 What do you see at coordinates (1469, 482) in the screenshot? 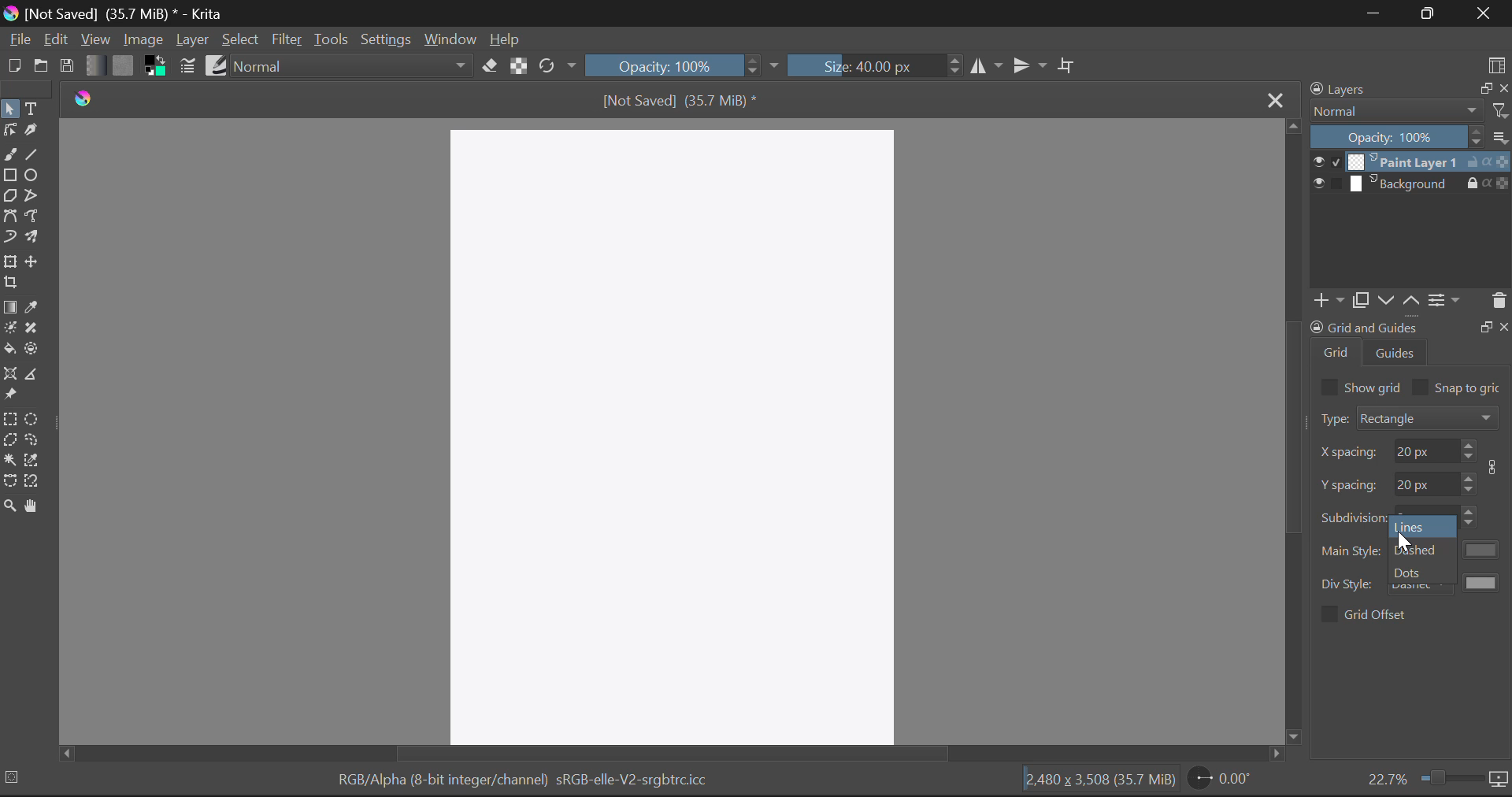
I see `Increase or decrease` at bounding box center [1469, 482].